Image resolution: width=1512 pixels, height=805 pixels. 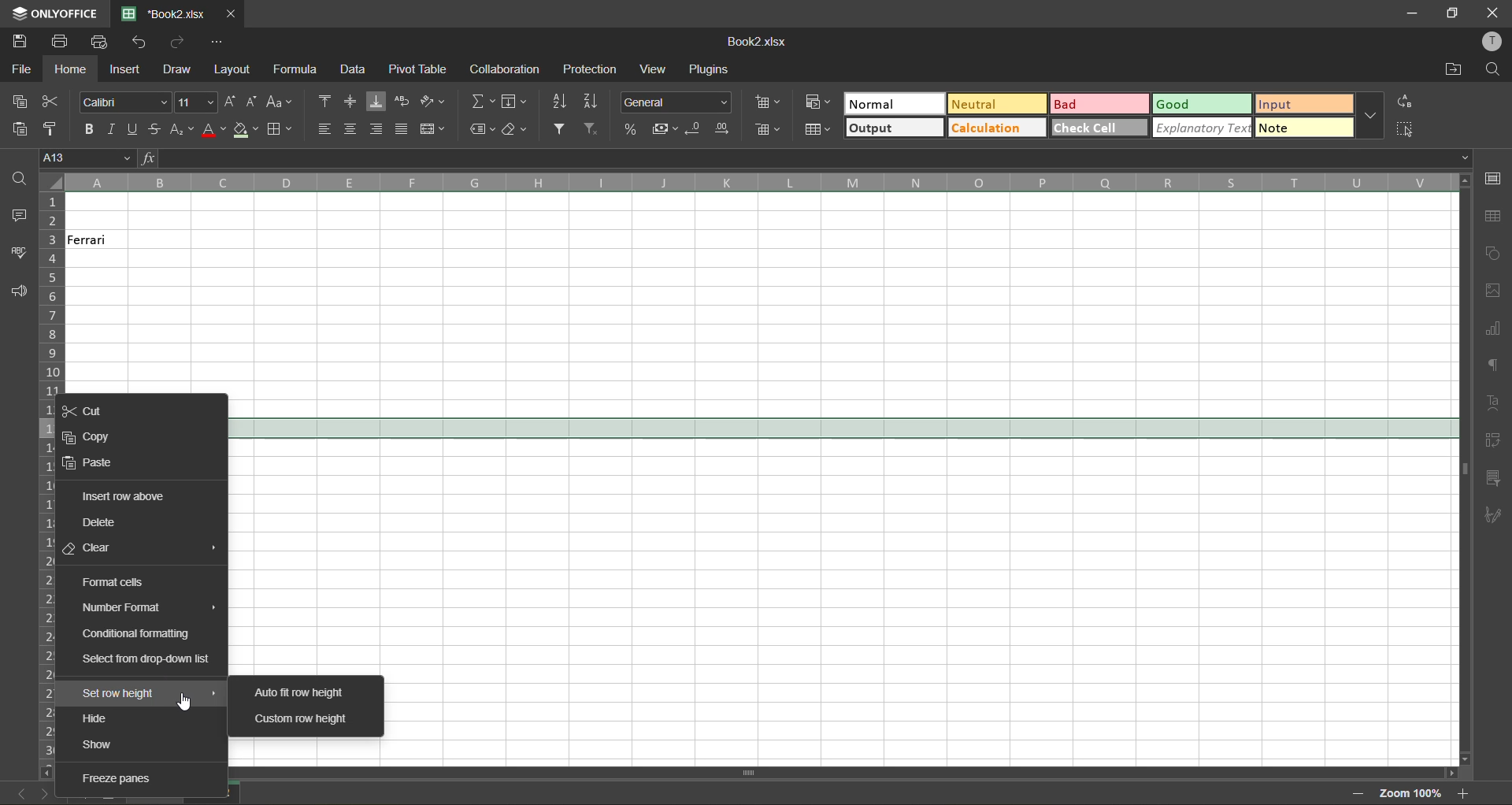 What do you see at coordinates (766, 132) in the screenshot?
I see `delete cells` at bounding box center [766, 132].